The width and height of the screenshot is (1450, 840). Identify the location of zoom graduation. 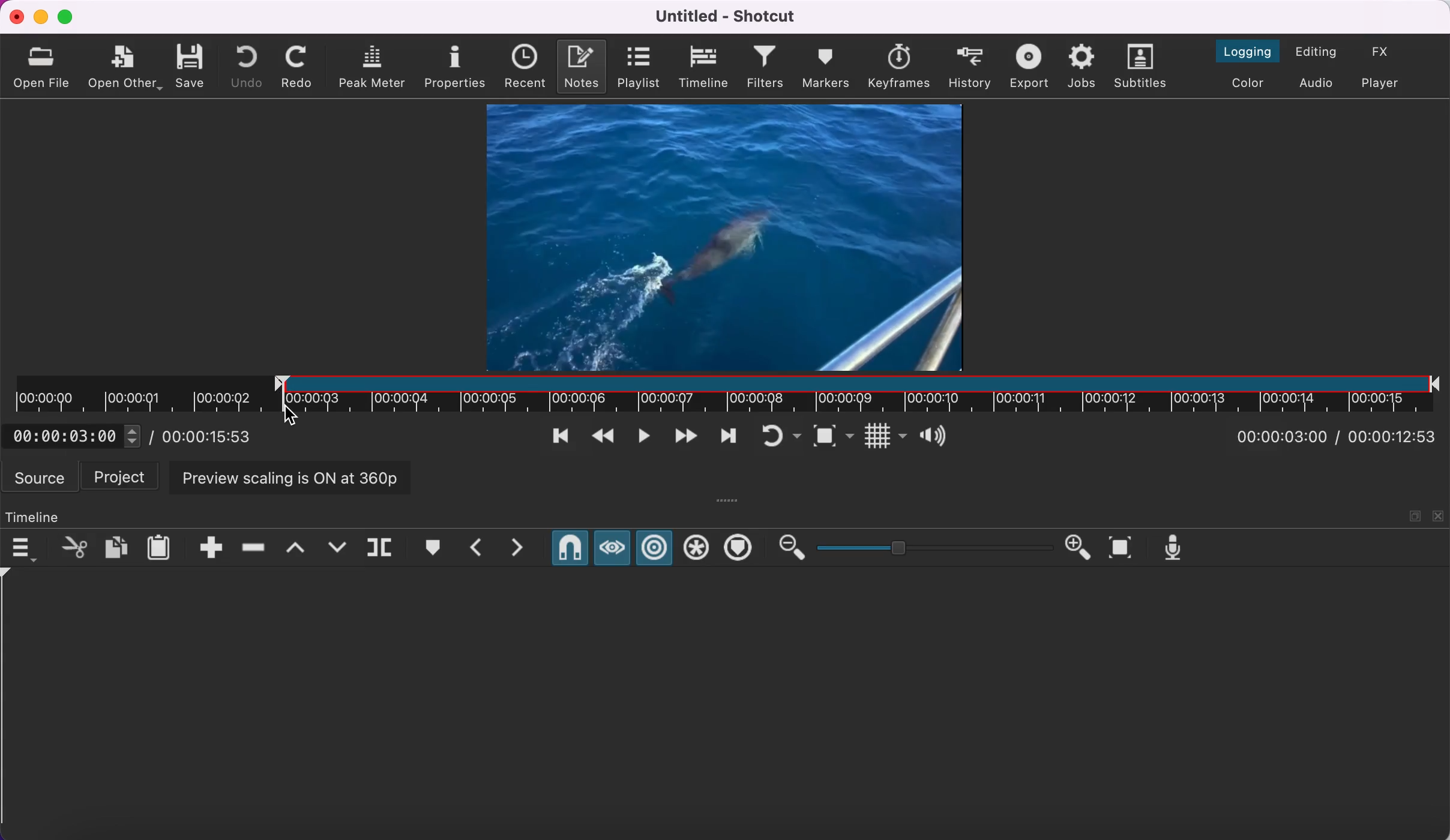
(933, 547).